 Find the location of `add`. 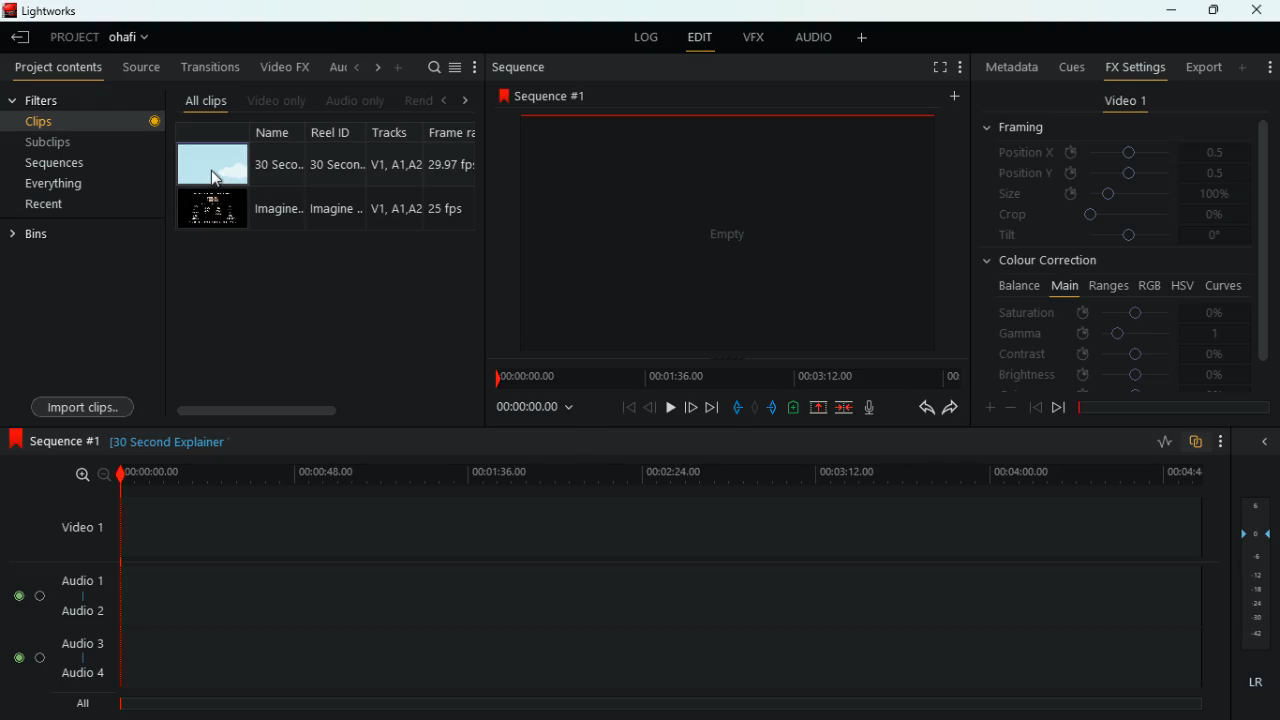

add is located at coordinates (1269, 66).